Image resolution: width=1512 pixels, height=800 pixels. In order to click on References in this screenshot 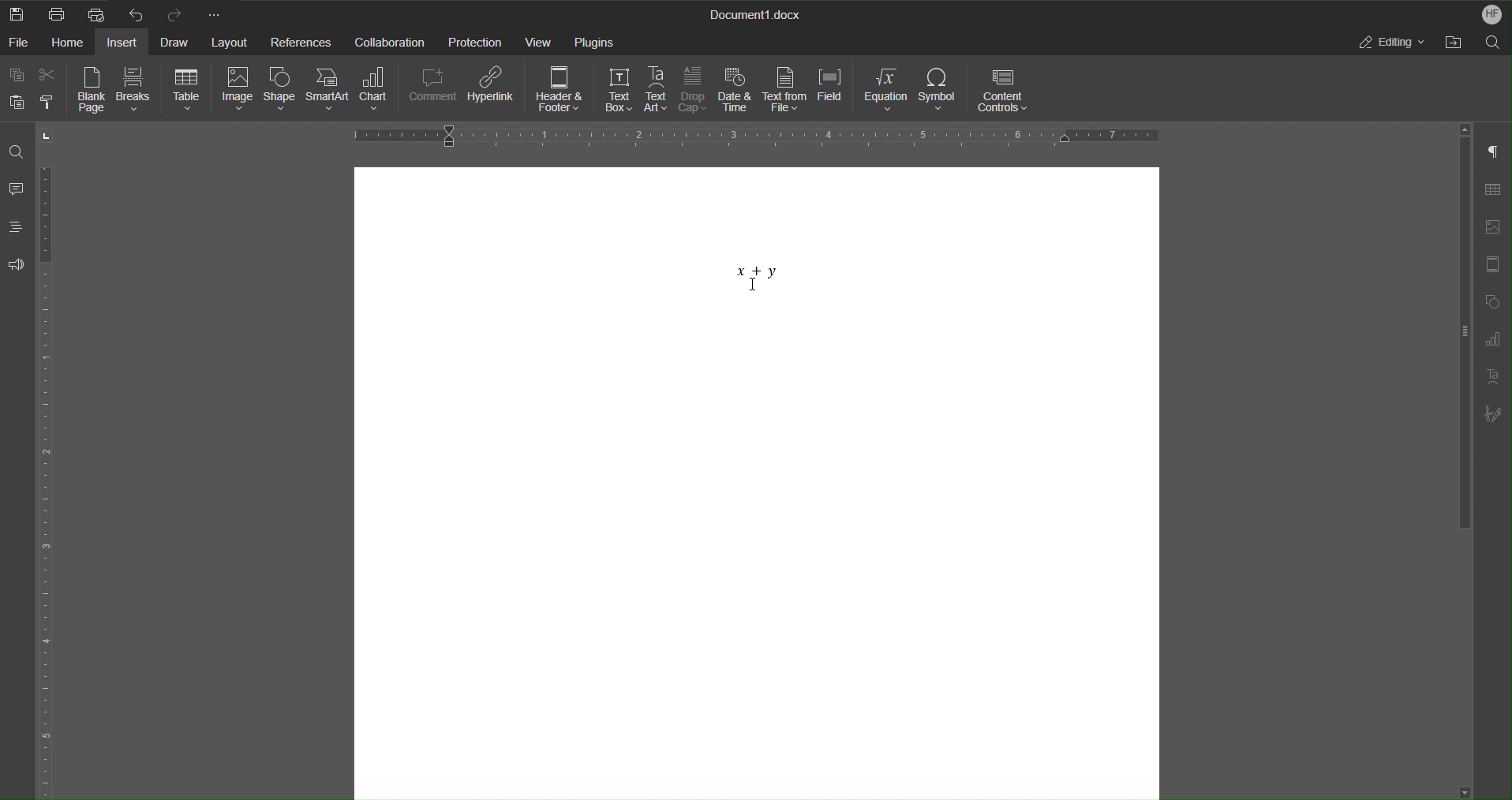, I will do `click(302, 41)`.